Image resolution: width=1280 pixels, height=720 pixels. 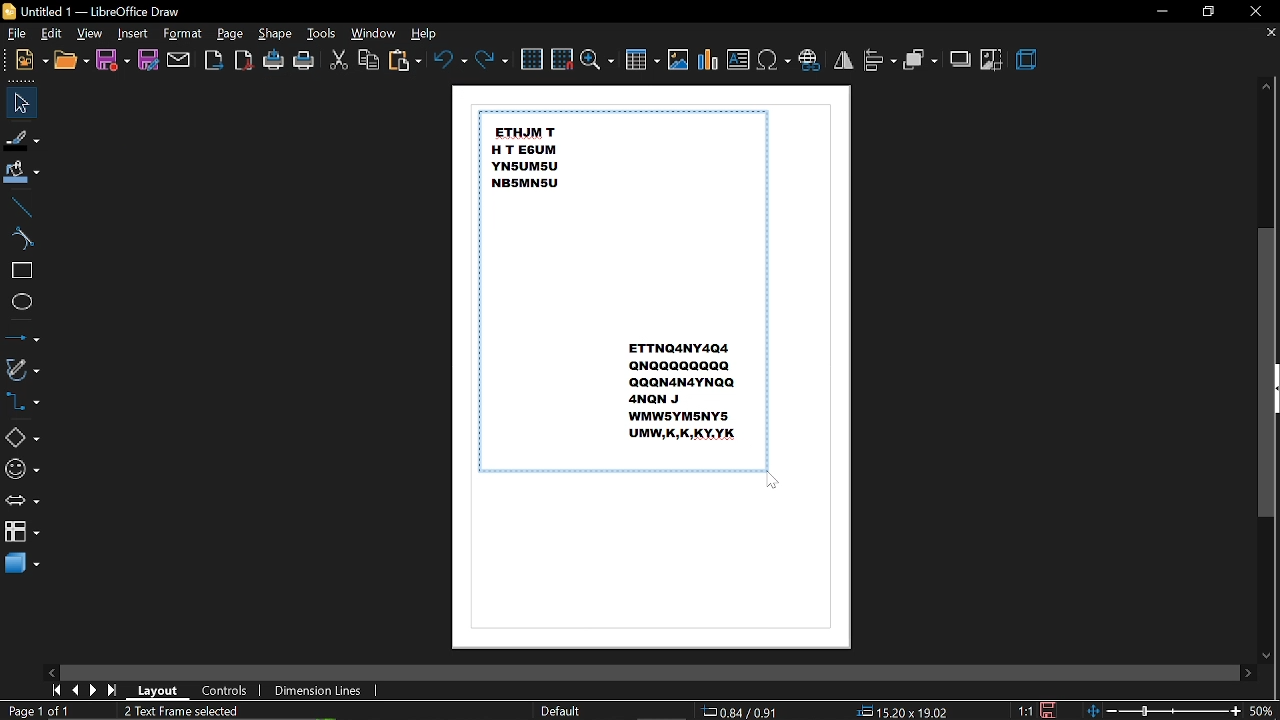 I want to click on move left, so click(x=51, y=670).